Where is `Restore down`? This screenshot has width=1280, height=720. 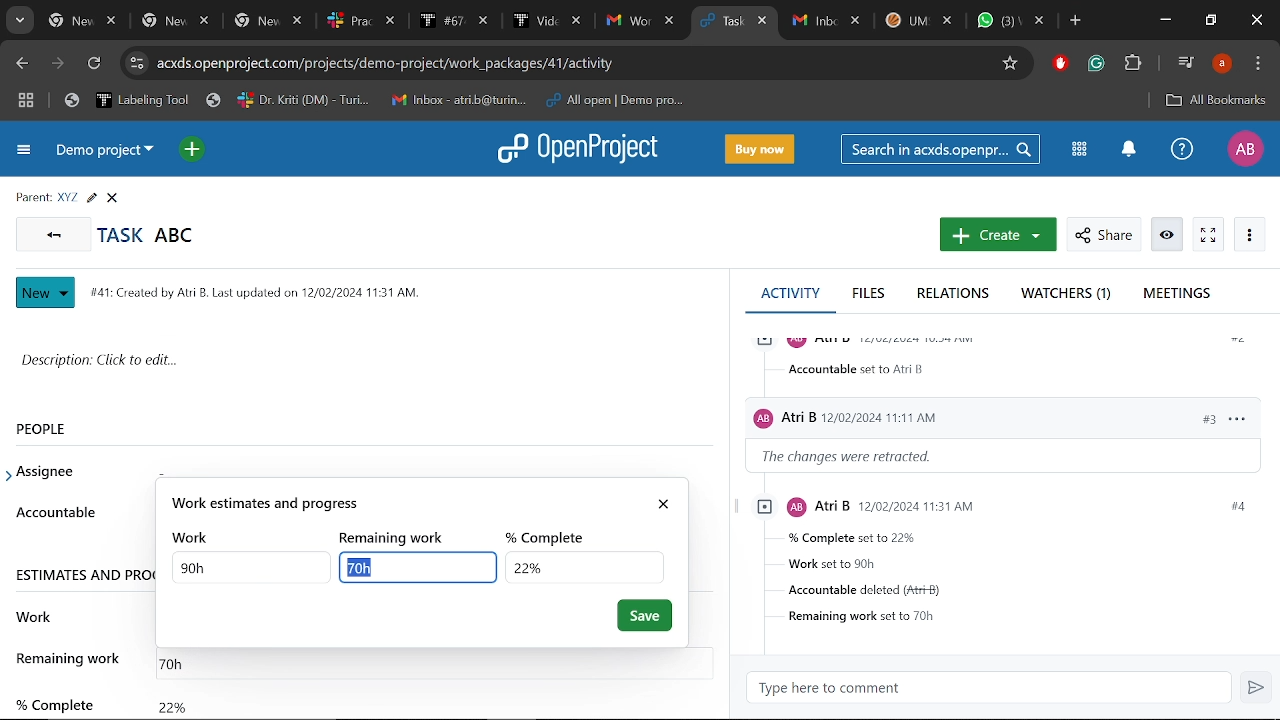 Restore down is located at coordinates (1212, 22).